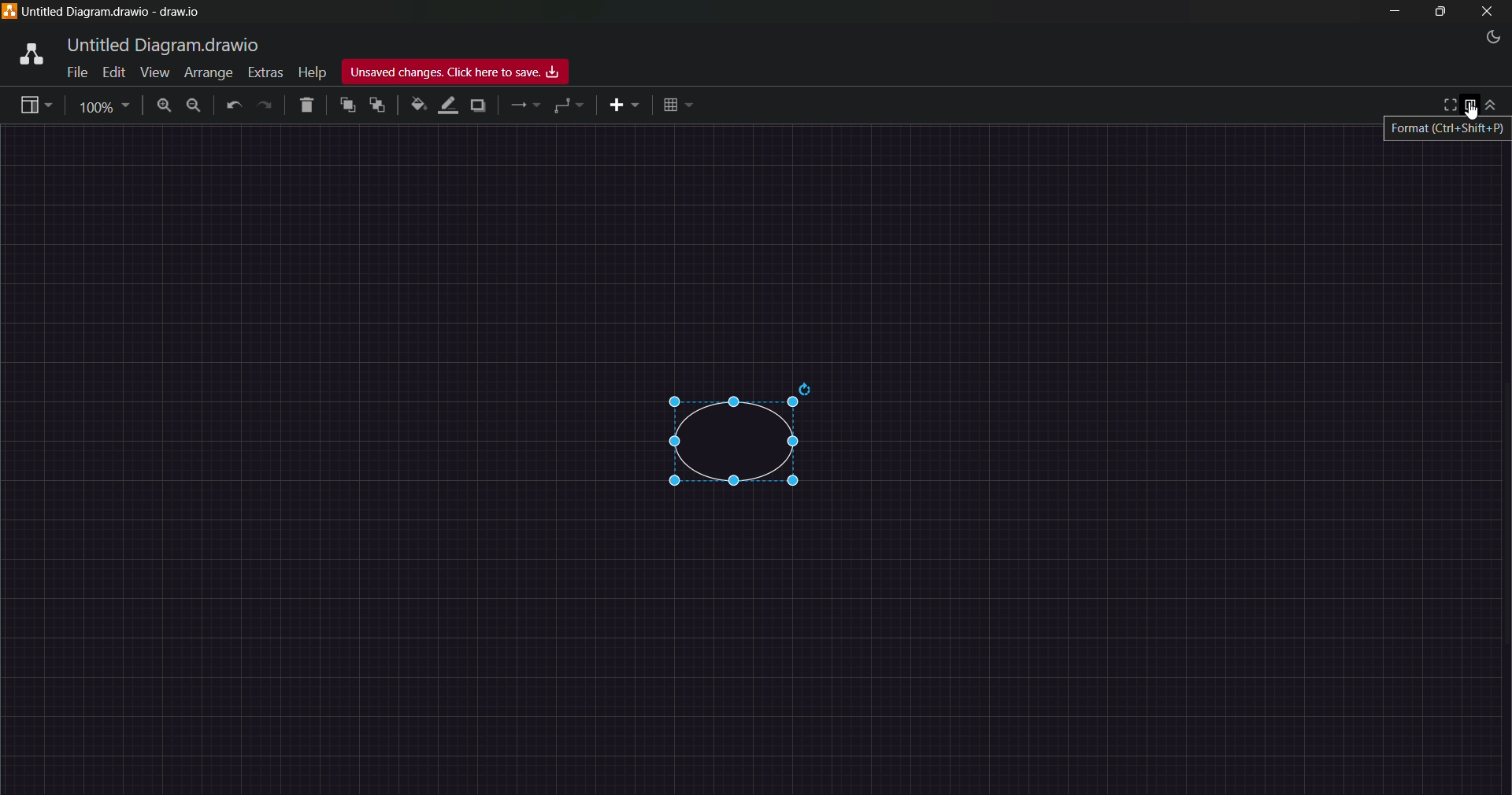 The width and height of the screenshot is (1512, 795). What do you see at coordinates (455, 71) in the screenshot?
I see `unsaved changes` at bounding box center [455, 71].